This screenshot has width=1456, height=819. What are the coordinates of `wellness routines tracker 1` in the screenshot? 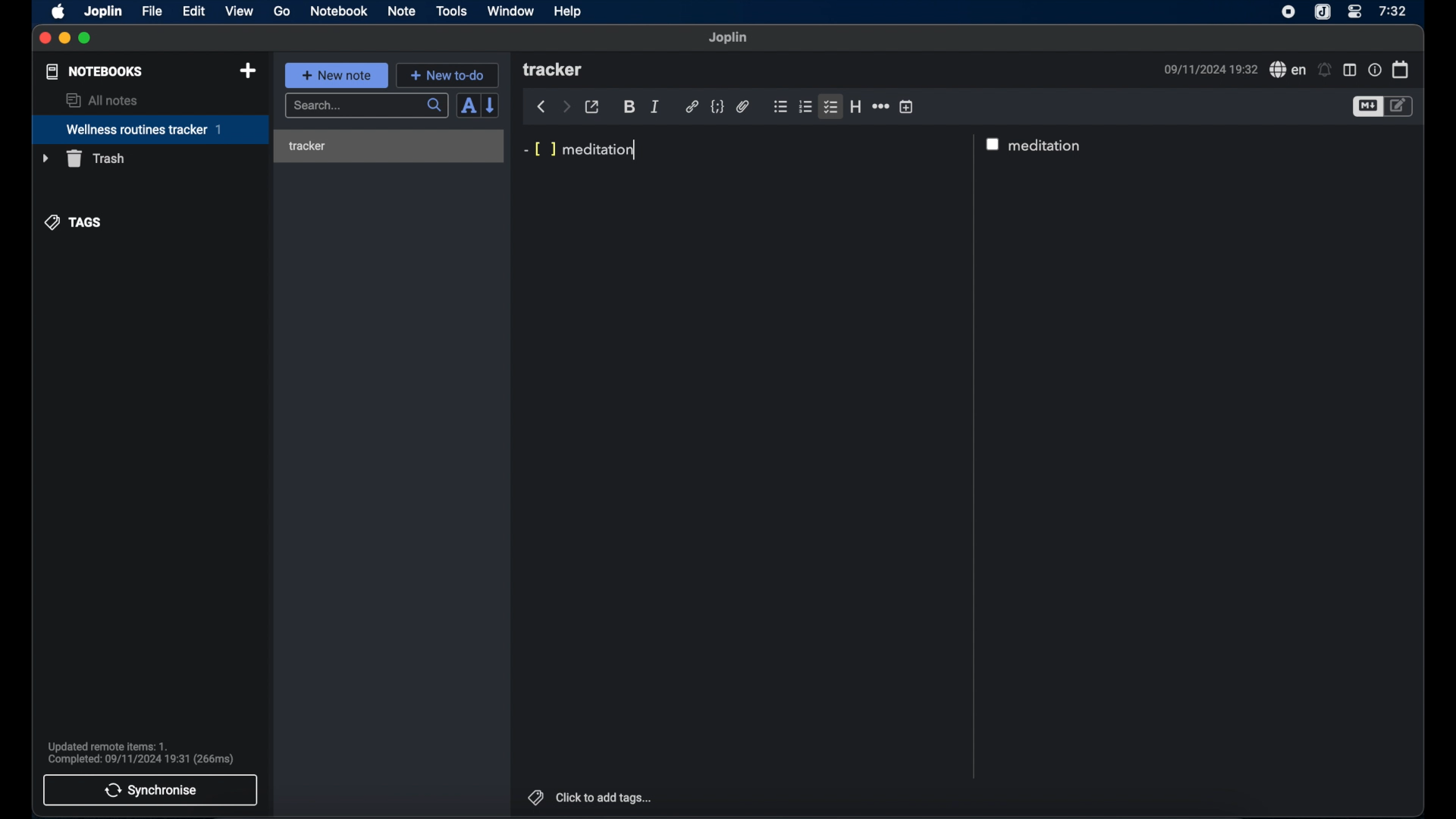 It's located at (149, 130).